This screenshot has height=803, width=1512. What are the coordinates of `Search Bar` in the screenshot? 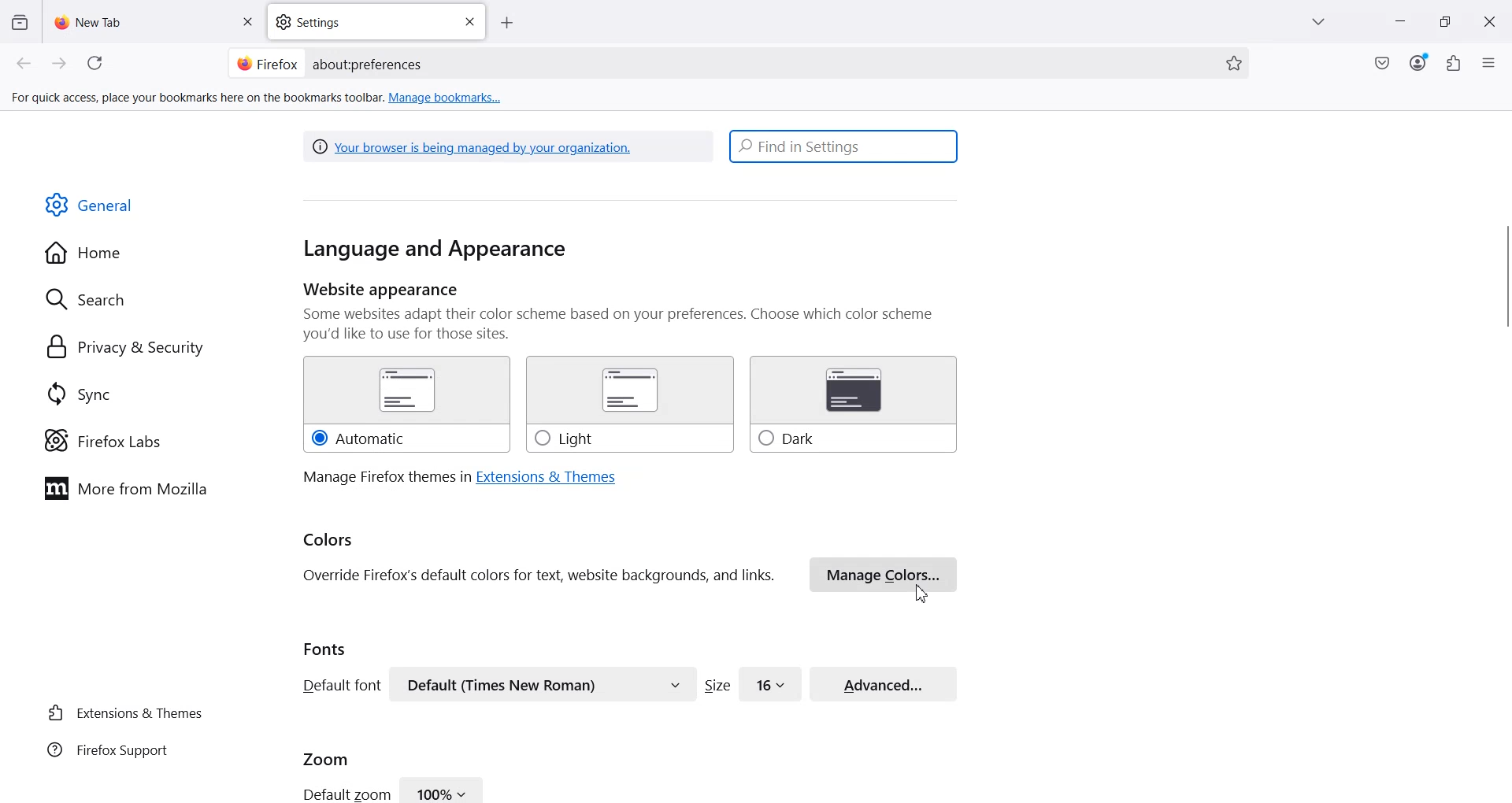 It's located at (736, 63).